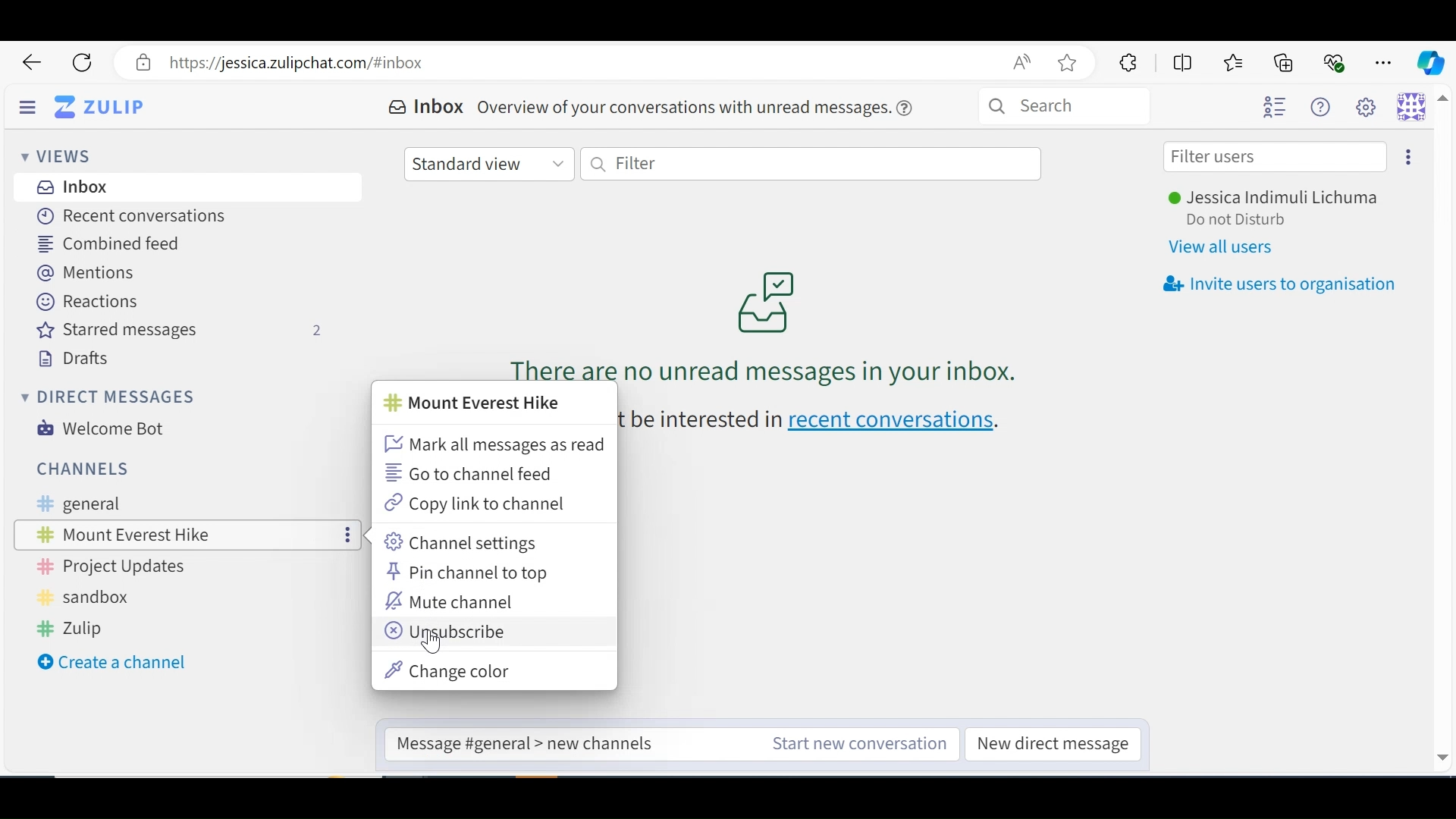 The width and height of the screenshot is (1456, 819). Describe the element at coordinates (157, 534) in the screenshot. I see `Channel` at that location.